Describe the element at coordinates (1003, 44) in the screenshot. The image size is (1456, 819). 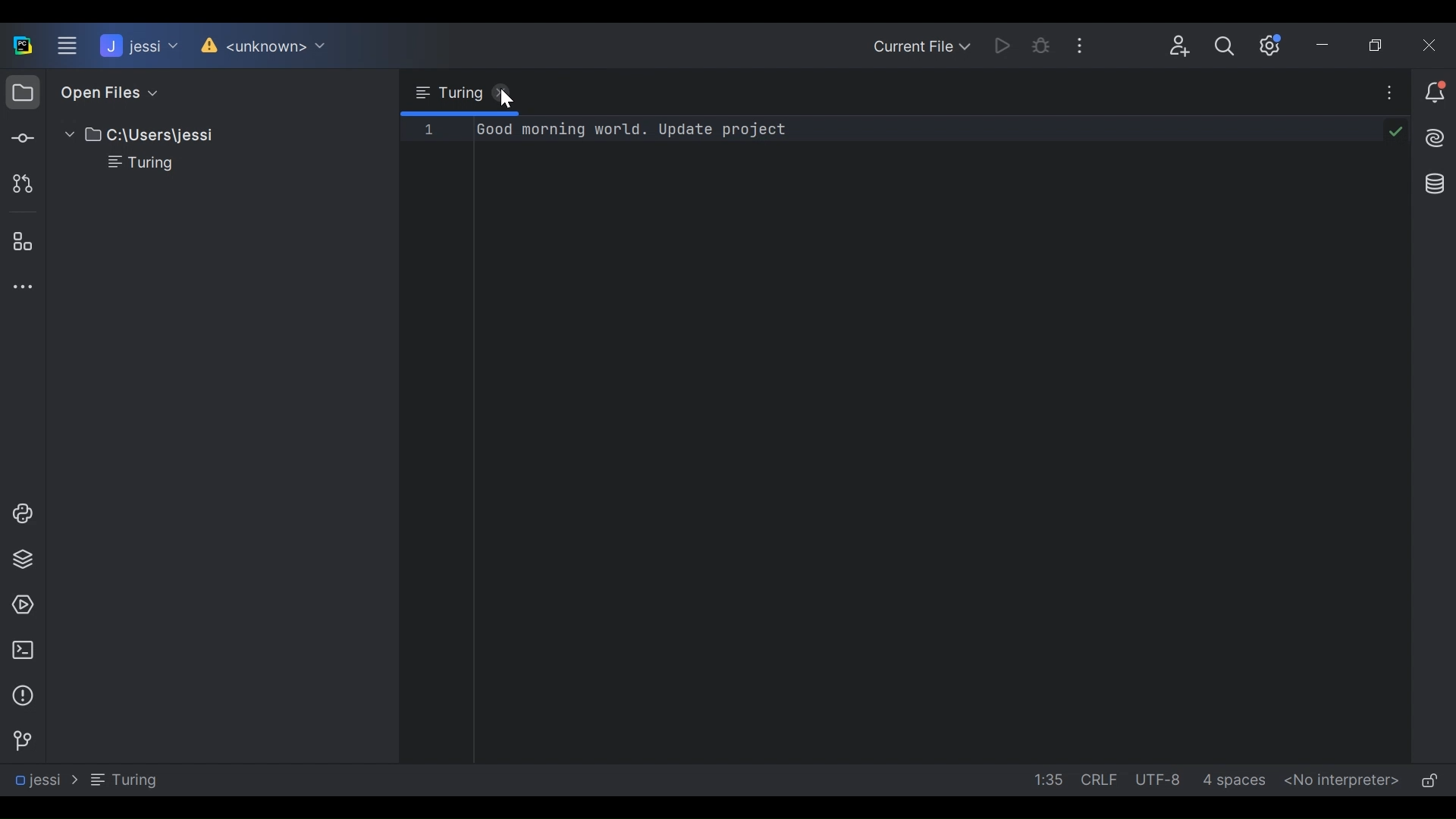
I see `Run` at that location.